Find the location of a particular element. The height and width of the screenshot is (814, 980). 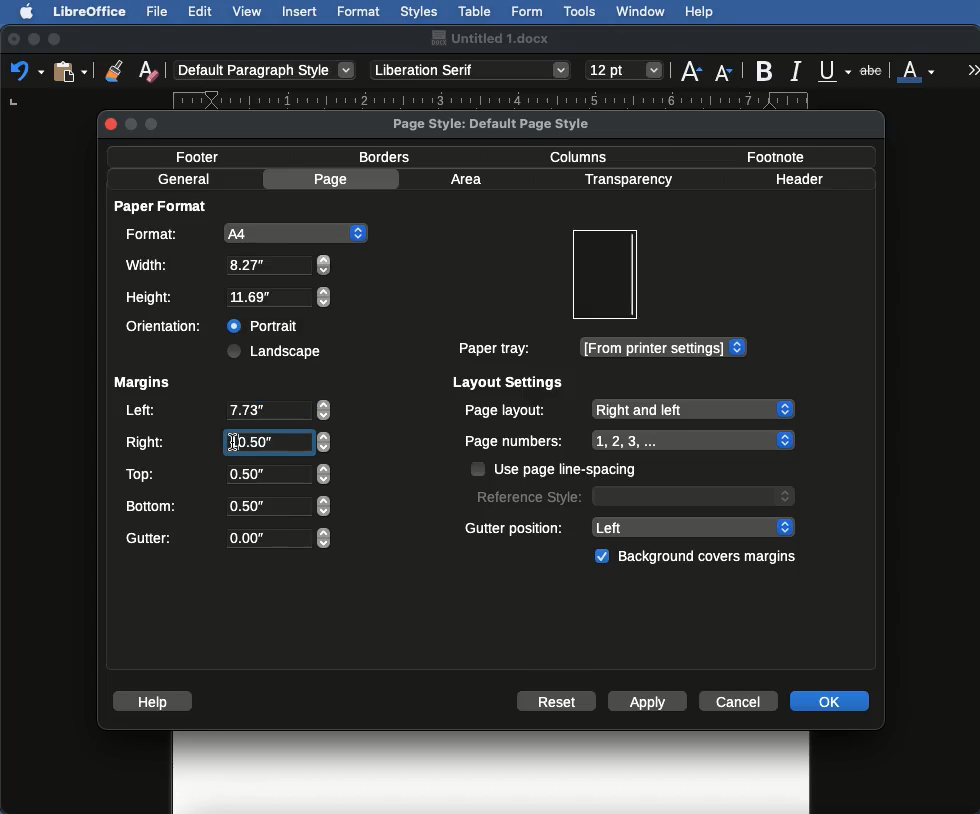

Page style is located at coordinates (508, 123).